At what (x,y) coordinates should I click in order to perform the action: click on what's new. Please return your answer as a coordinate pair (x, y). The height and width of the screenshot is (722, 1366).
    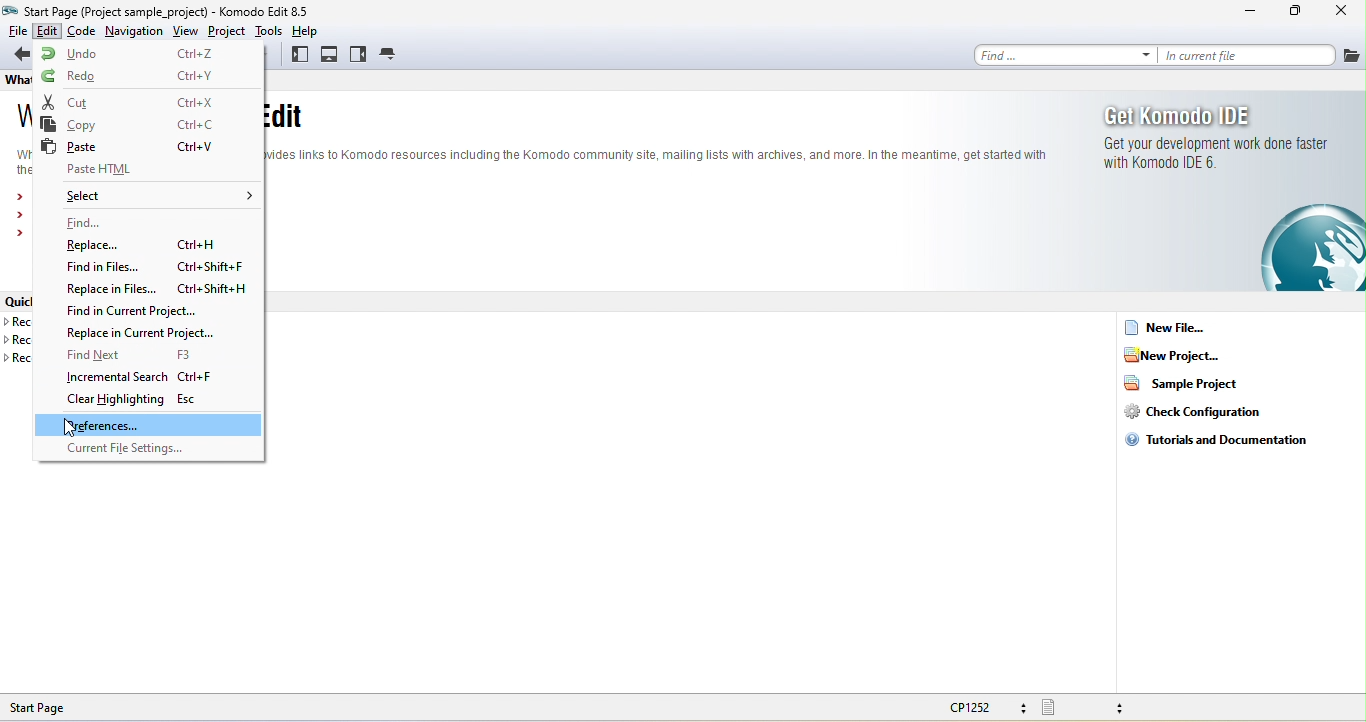
    Looking at the image, I should click on (19, 83).